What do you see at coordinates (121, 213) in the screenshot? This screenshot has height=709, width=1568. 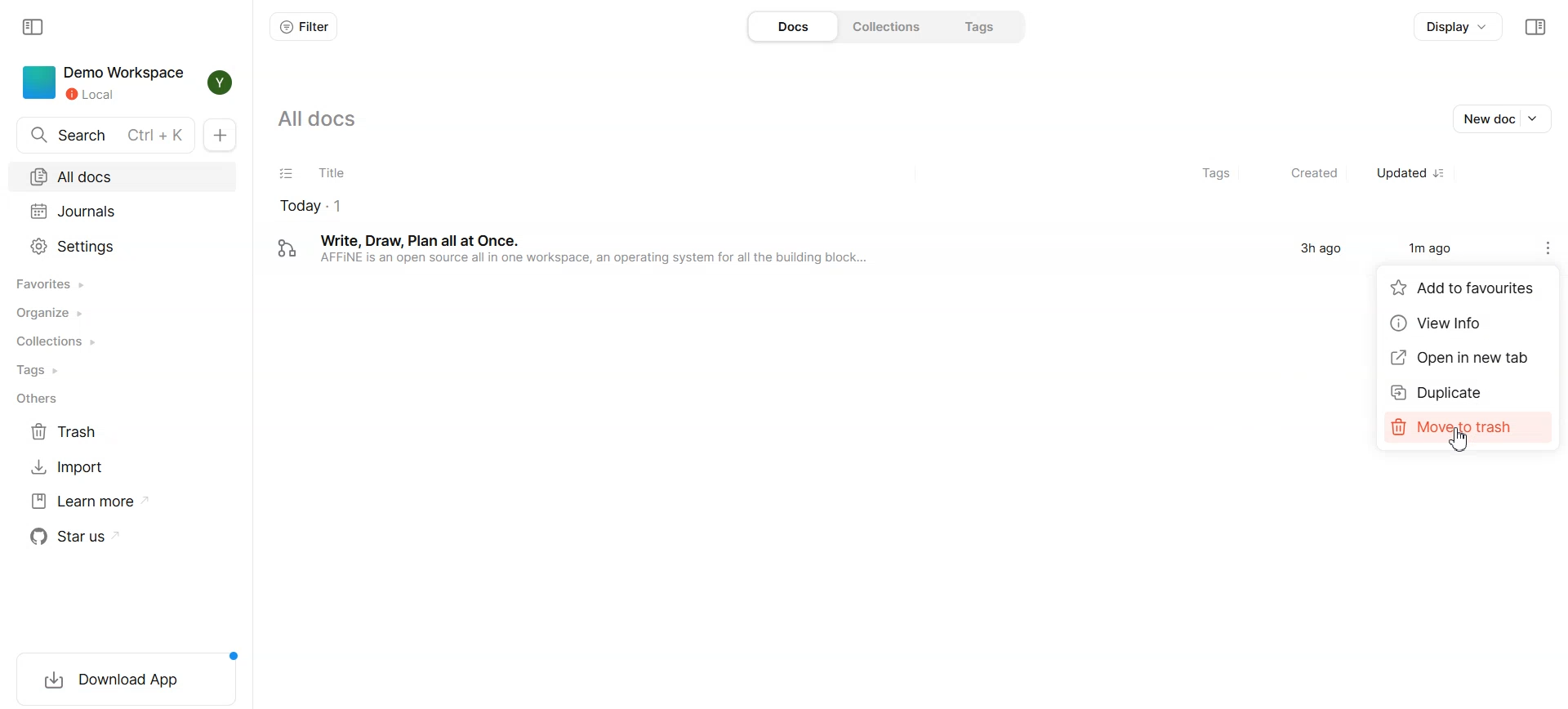 I see `Journals` at bounding box center [121, 213].